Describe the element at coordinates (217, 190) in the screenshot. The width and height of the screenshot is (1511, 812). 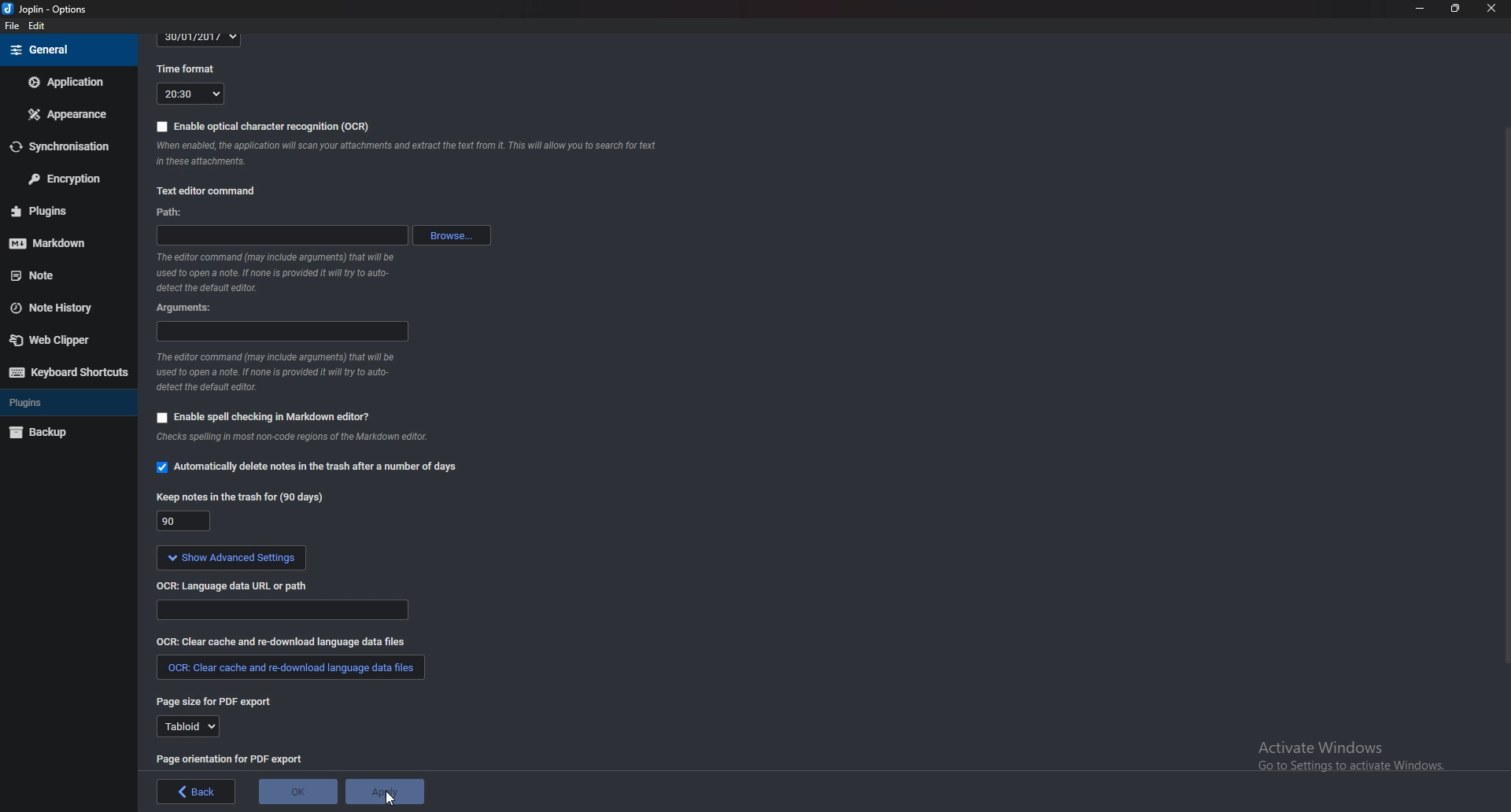
I see `Text editor command` at that location.